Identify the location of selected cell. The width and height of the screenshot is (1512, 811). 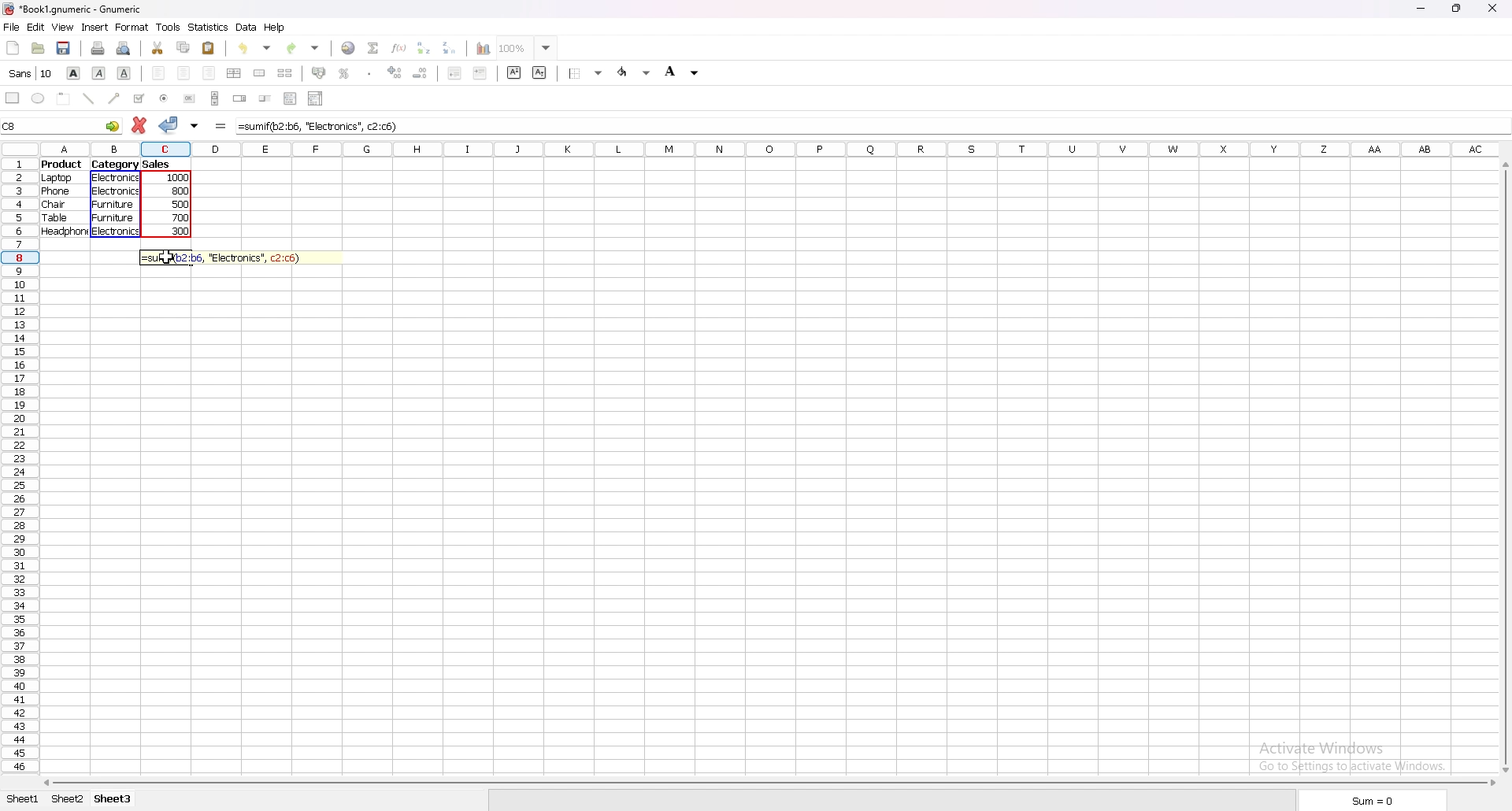
(60, 127).